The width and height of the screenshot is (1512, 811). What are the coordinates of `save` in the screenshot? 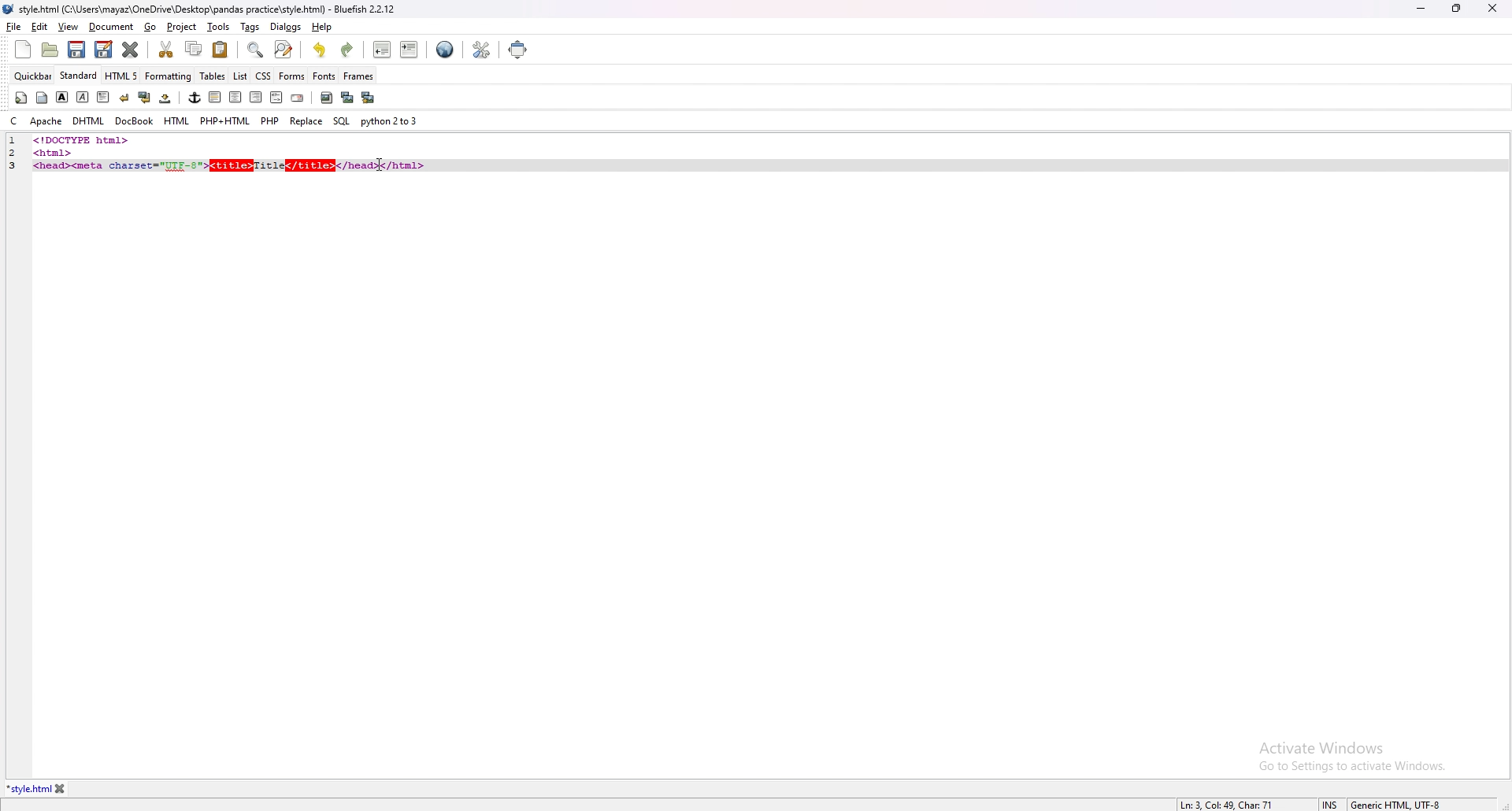 It's located at (77, 50).